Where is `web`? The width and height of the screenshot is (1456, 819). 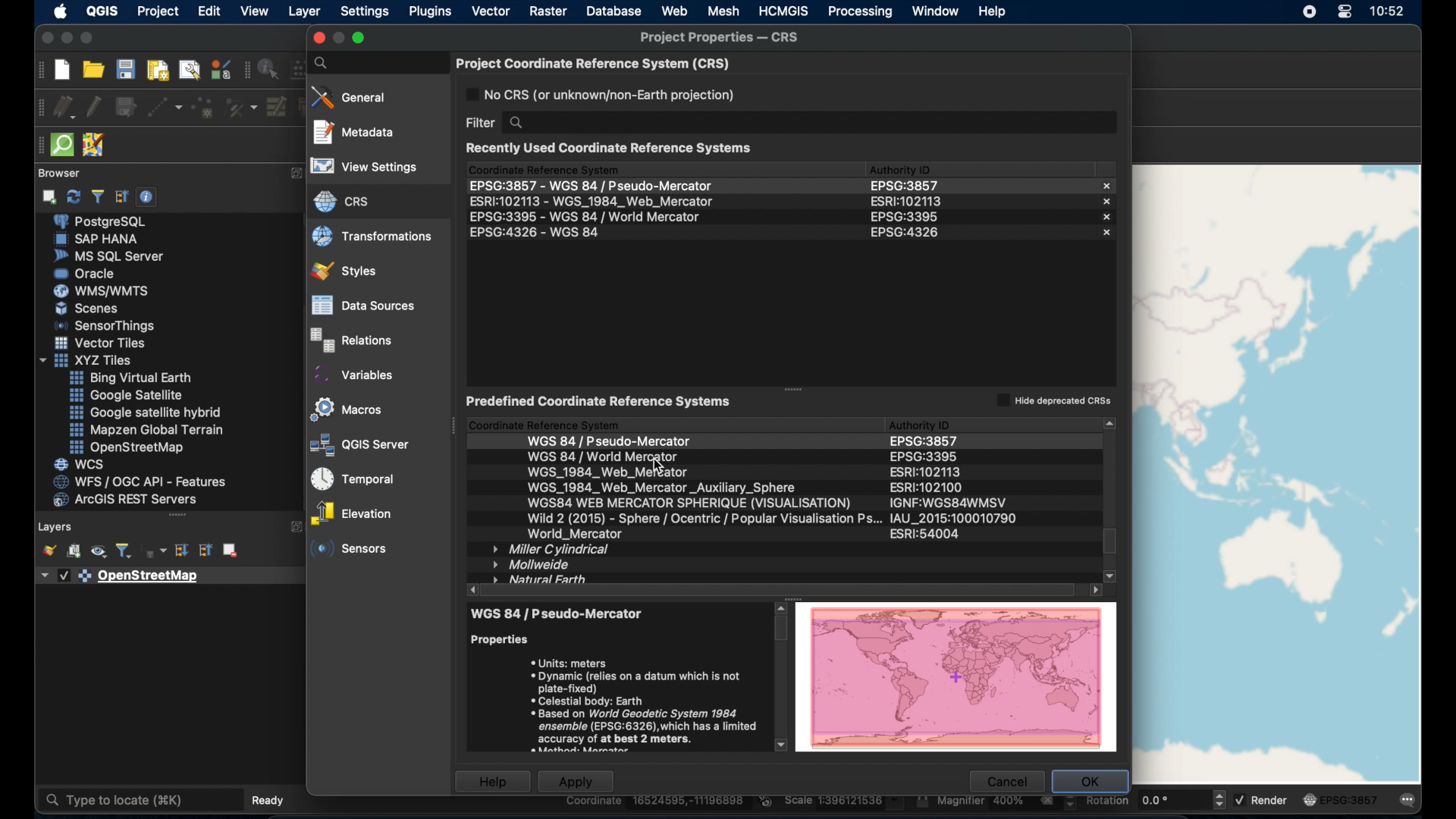 web is located at coordinates (676, 11).